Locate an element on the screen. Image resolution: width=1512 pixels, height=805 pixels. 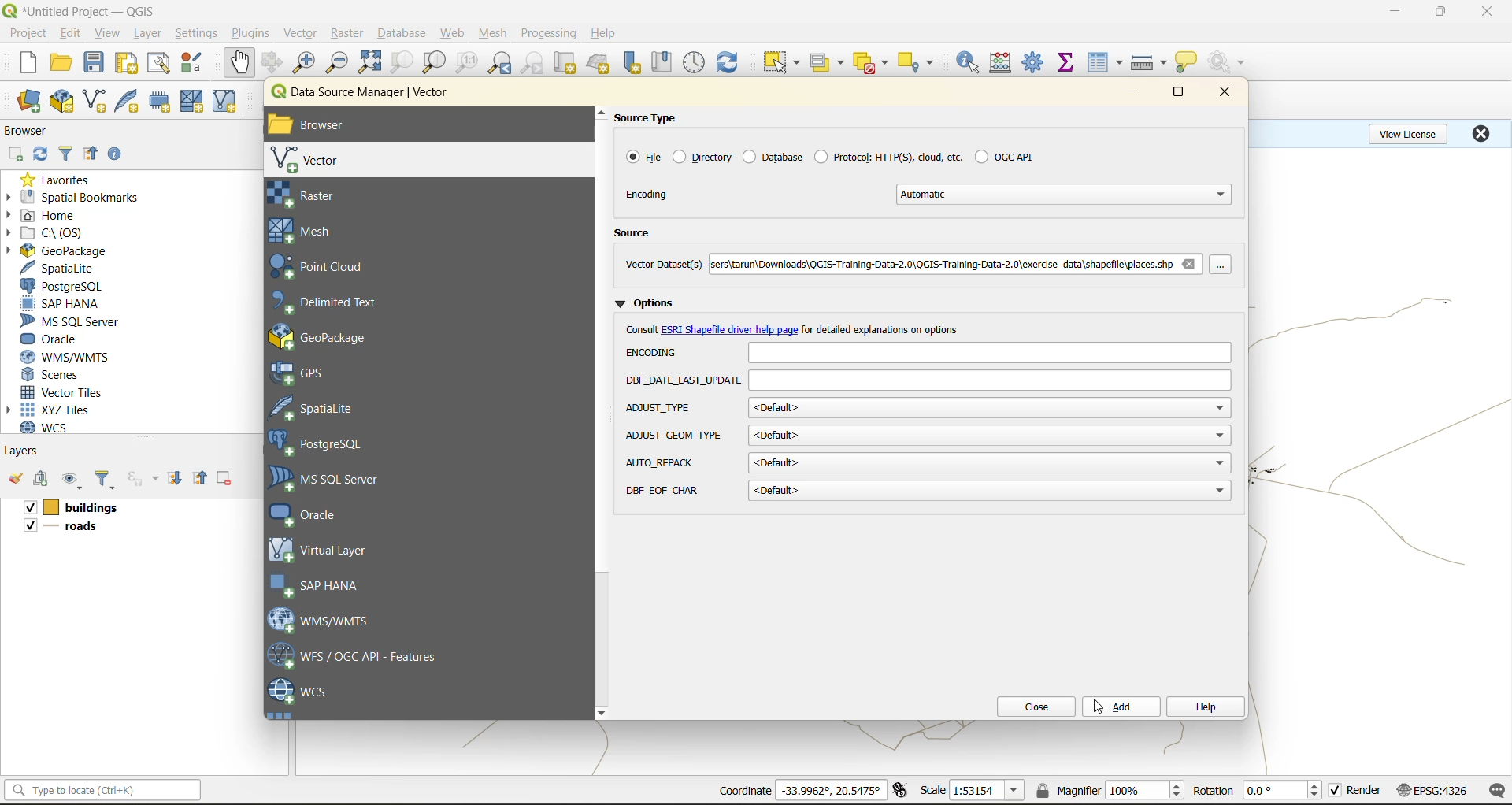
adjust type is located at coordinates (661, 409).